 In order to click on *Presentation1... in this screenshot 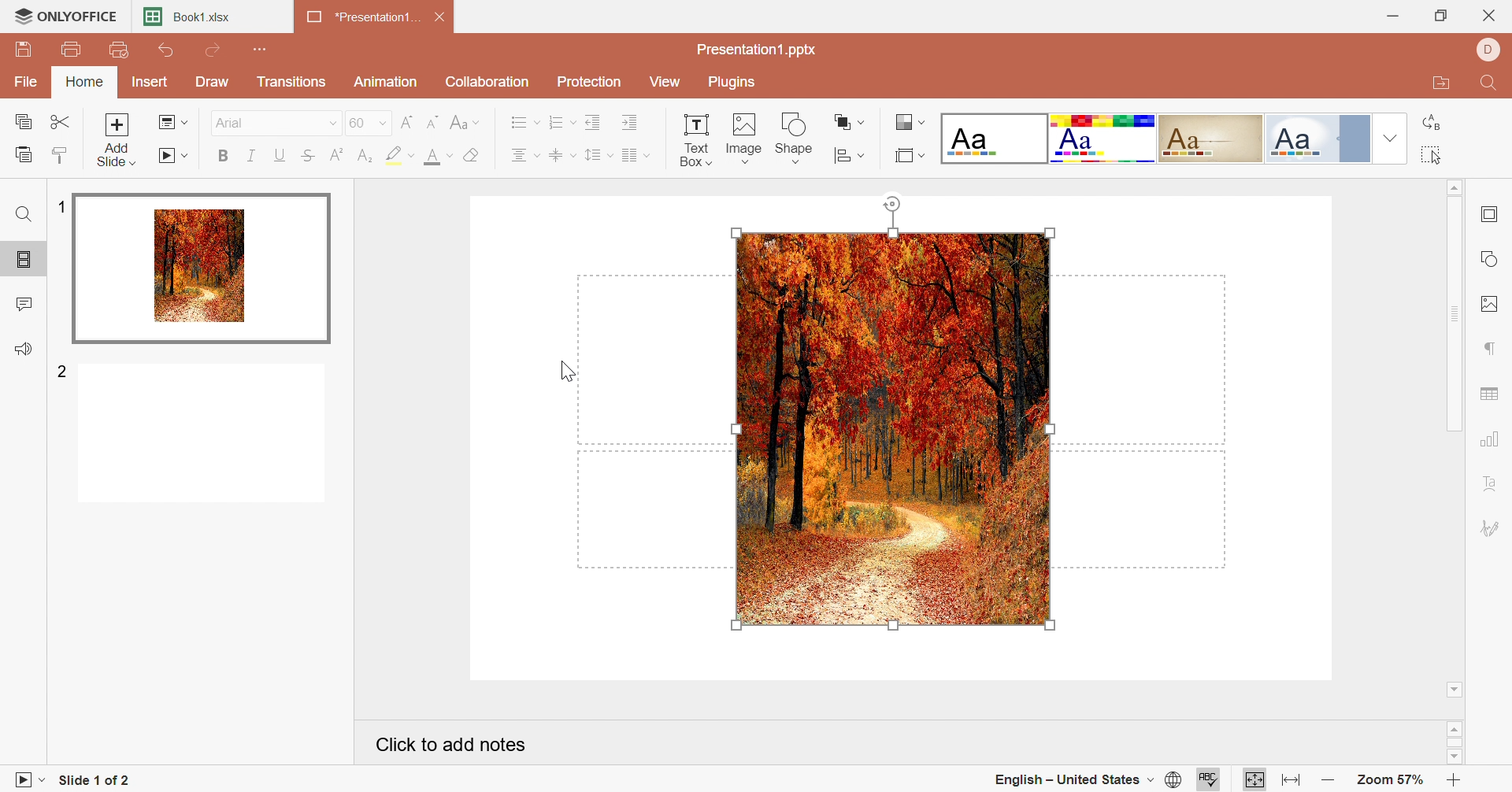, I will do `click(365, 17)`.